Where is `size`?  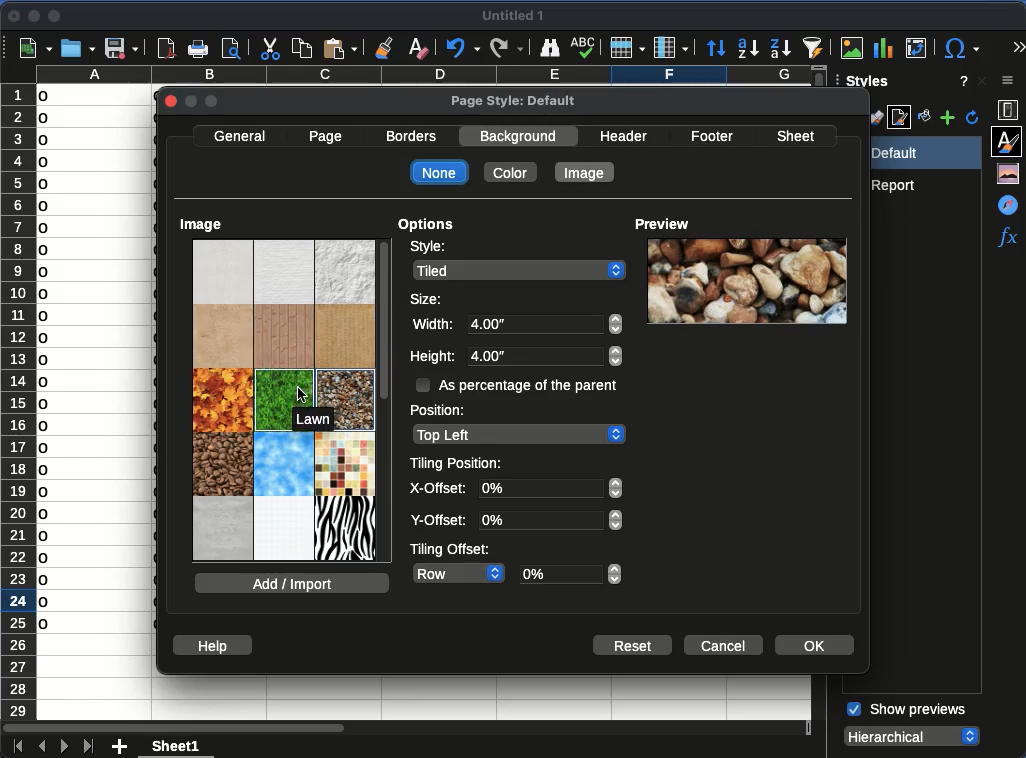
size is located at coordinates (428, 298).